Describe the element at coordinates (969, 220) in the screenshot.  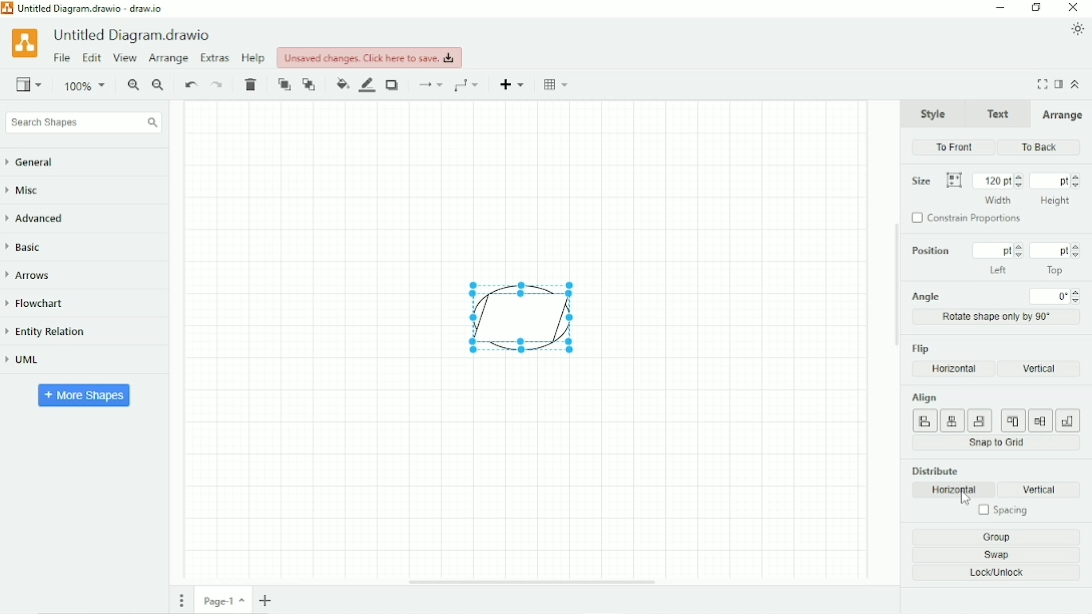
I see `Constrains proportions` at that location.